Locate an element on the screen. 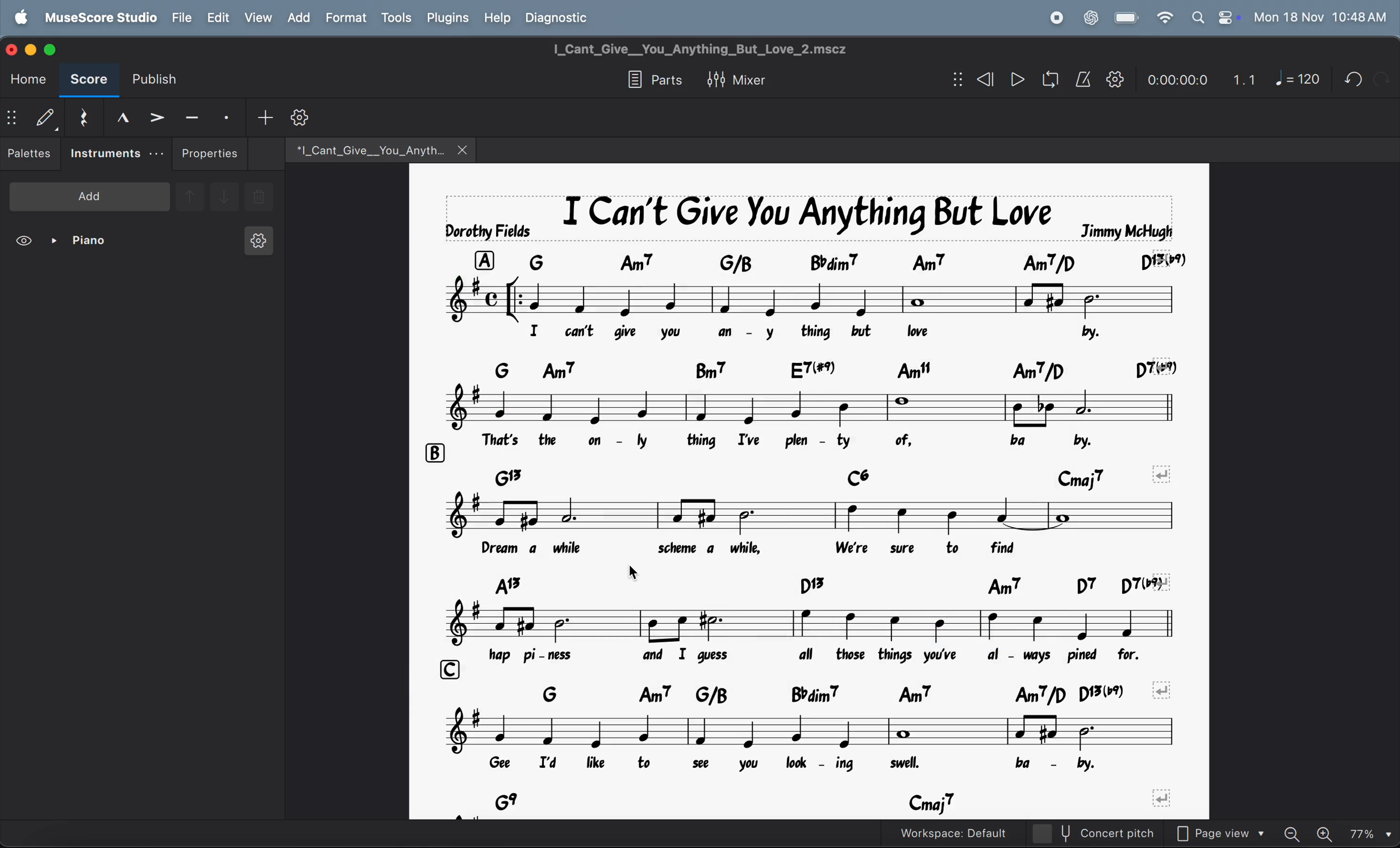  battery is located at coordinates (1127, 18).